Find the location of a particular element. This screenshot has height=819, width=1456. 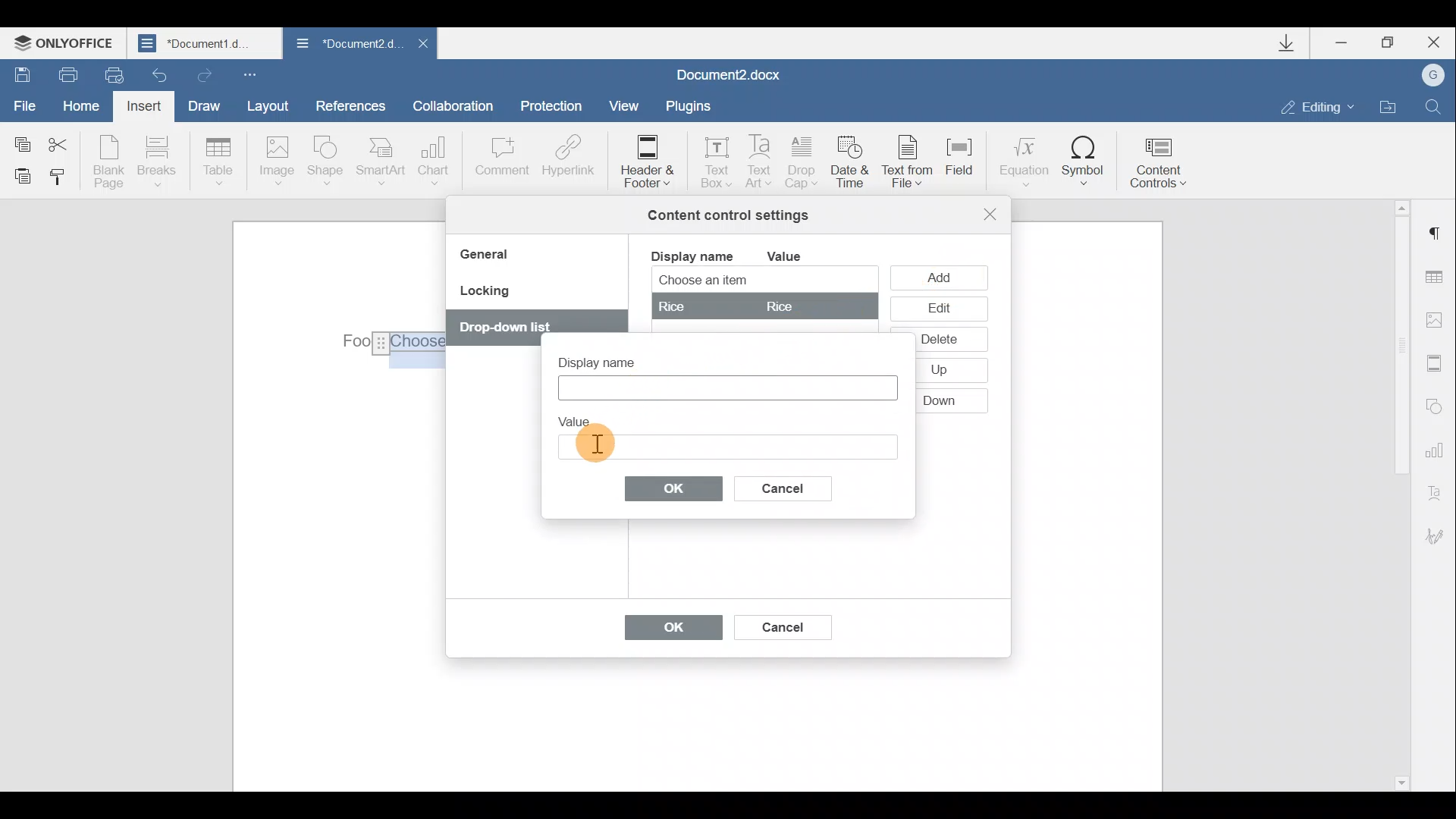

Collaboration is located at coordinates (459, 105).